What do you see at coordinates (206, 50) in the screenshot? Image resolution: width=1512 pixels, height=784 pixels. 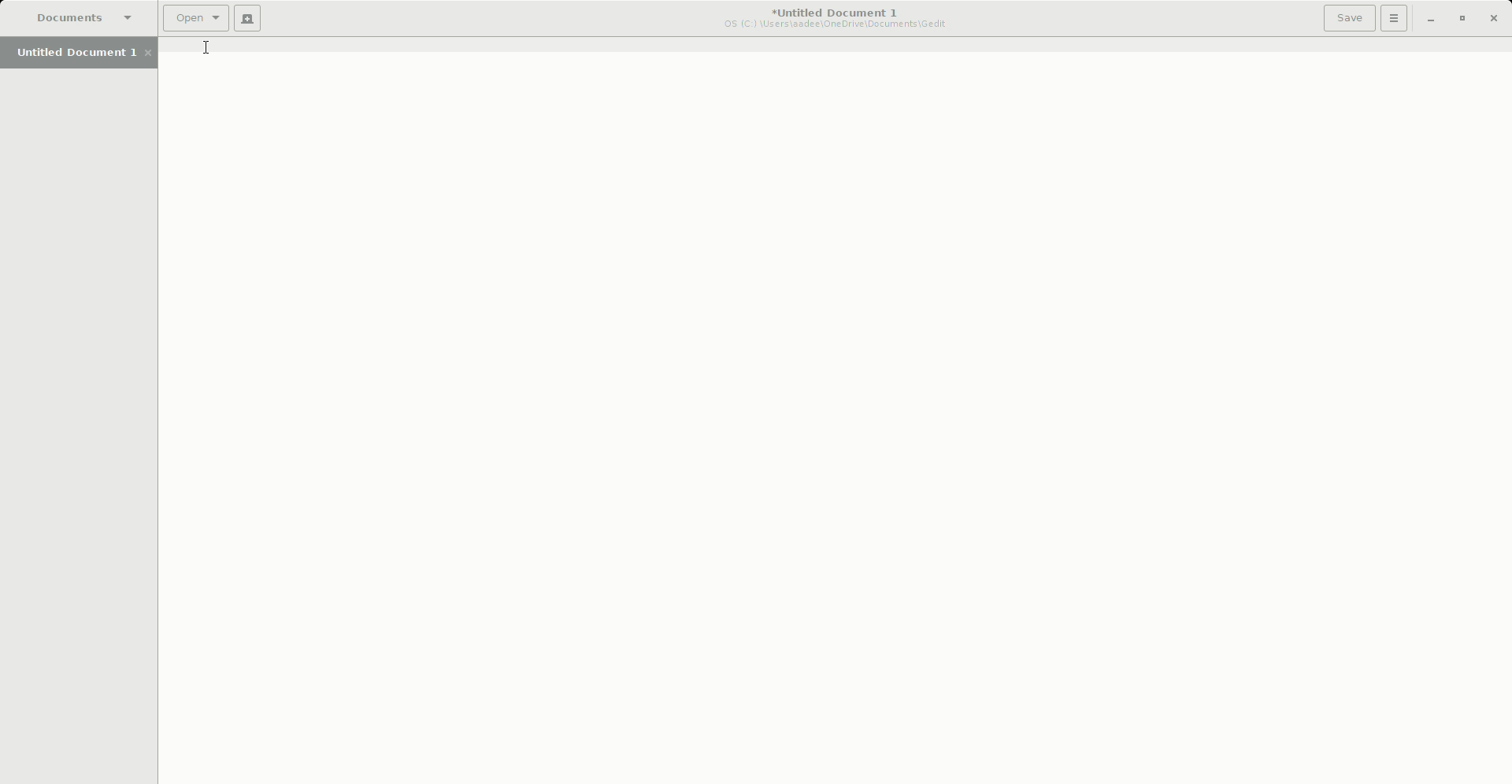 I see `Cursor` at bounding box center [206, 50].